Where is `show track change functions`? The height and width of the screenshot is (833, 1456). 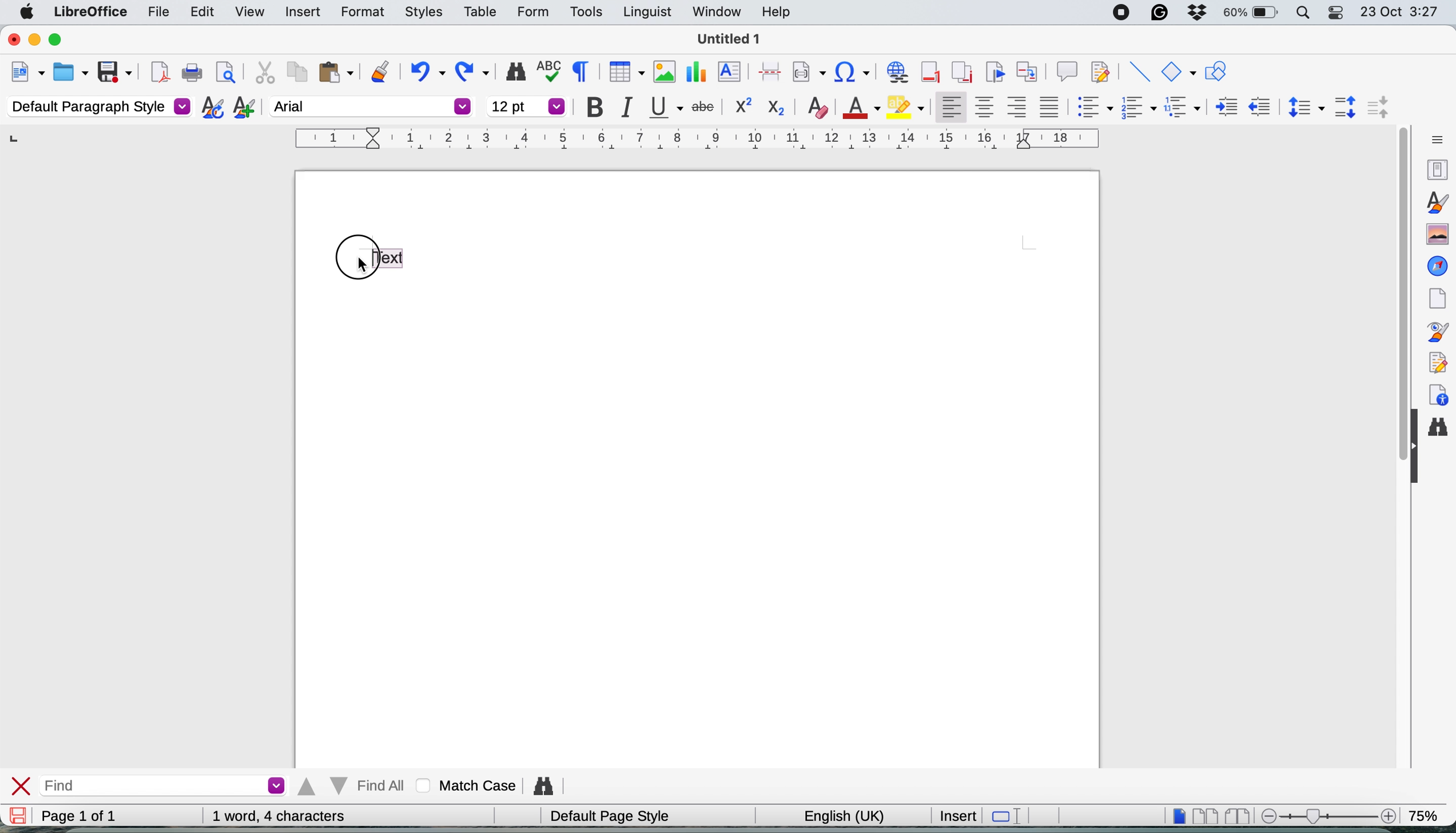
show track change functions is located at coordinates (1103, 73).